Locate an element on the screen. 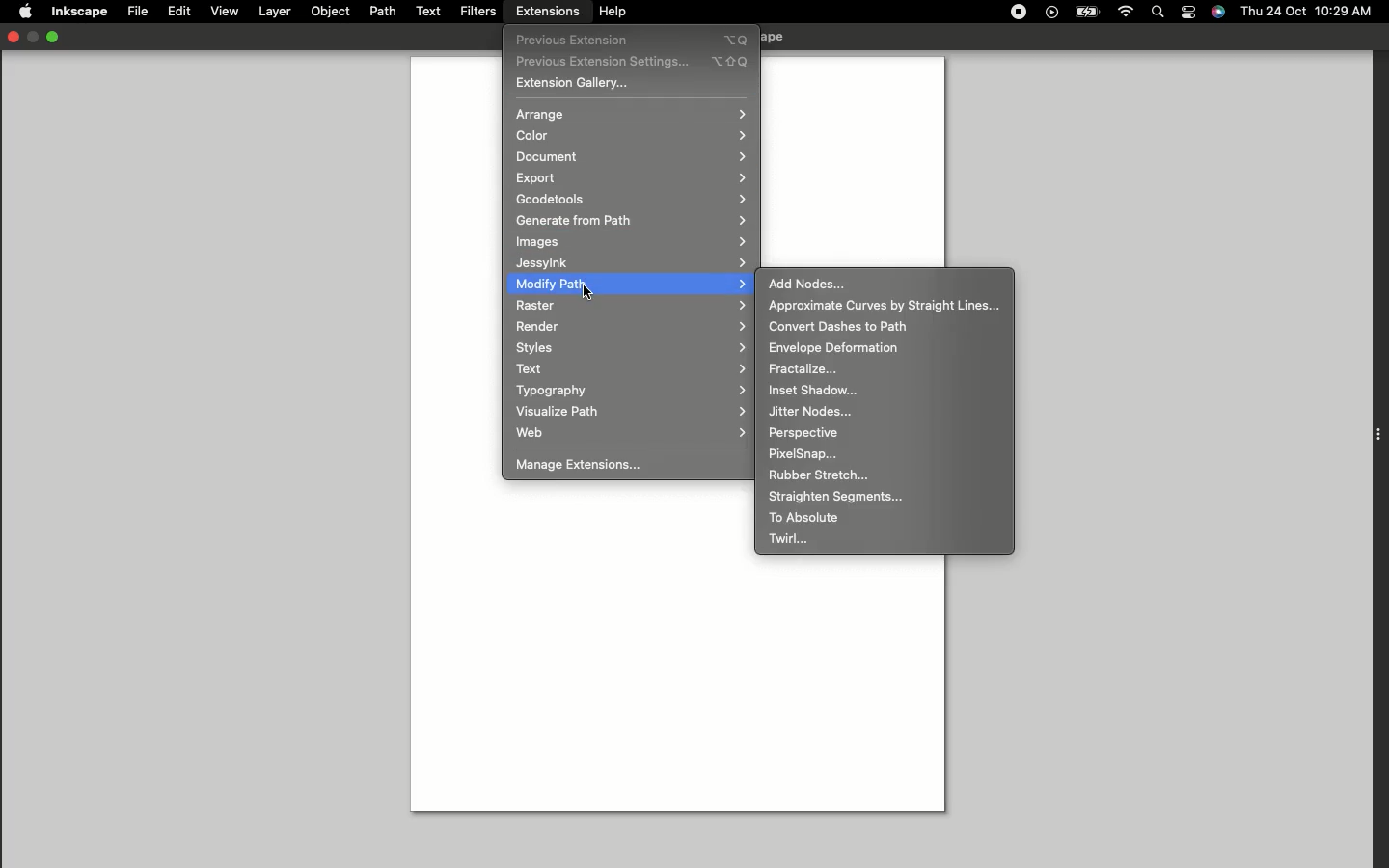 This screenshot has width=1389, height=868. Export is located at coordinates (633, 177).